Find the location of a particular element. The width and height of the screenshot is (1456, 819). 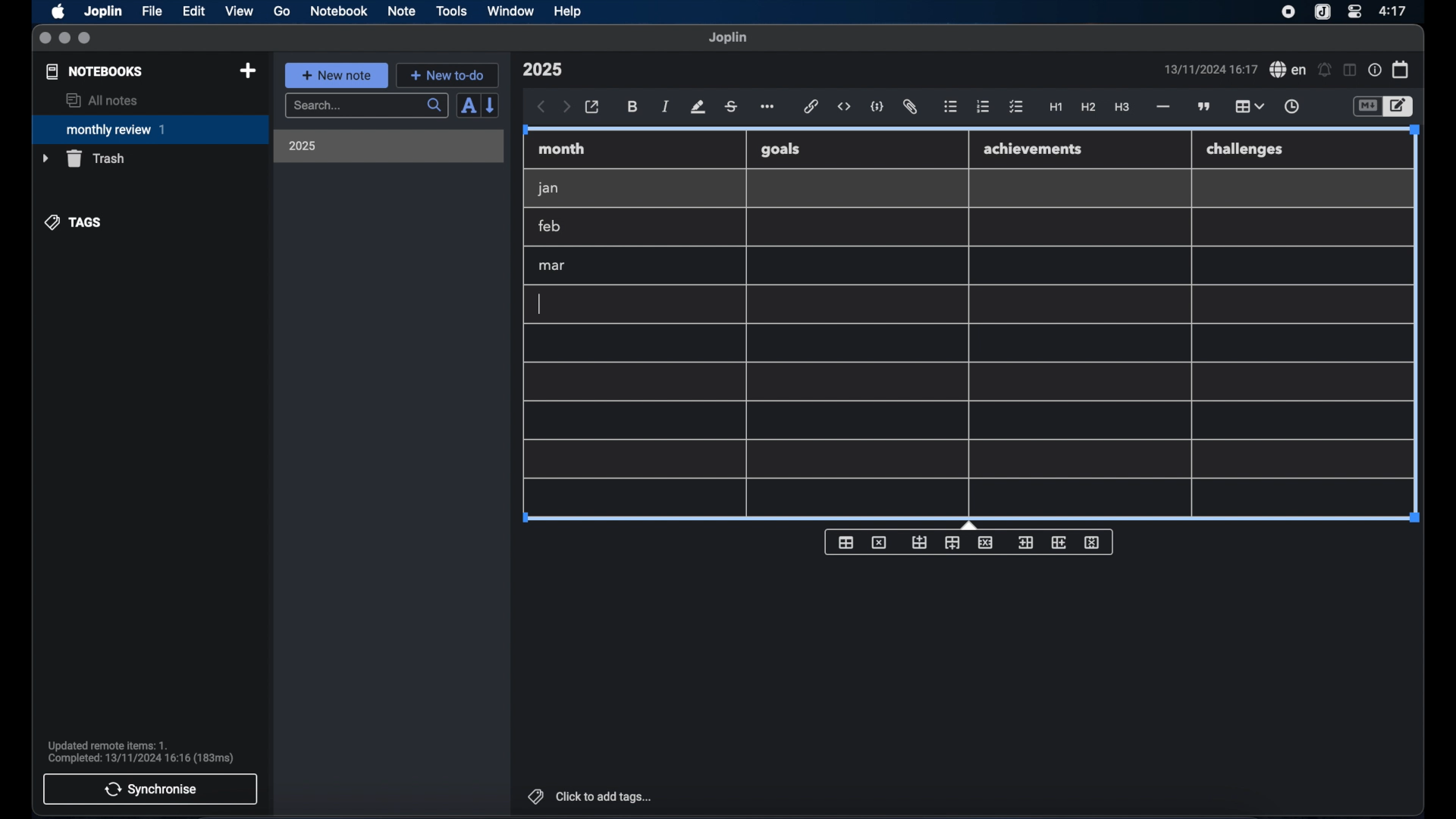

highlight is located at coordinates (698, 107).